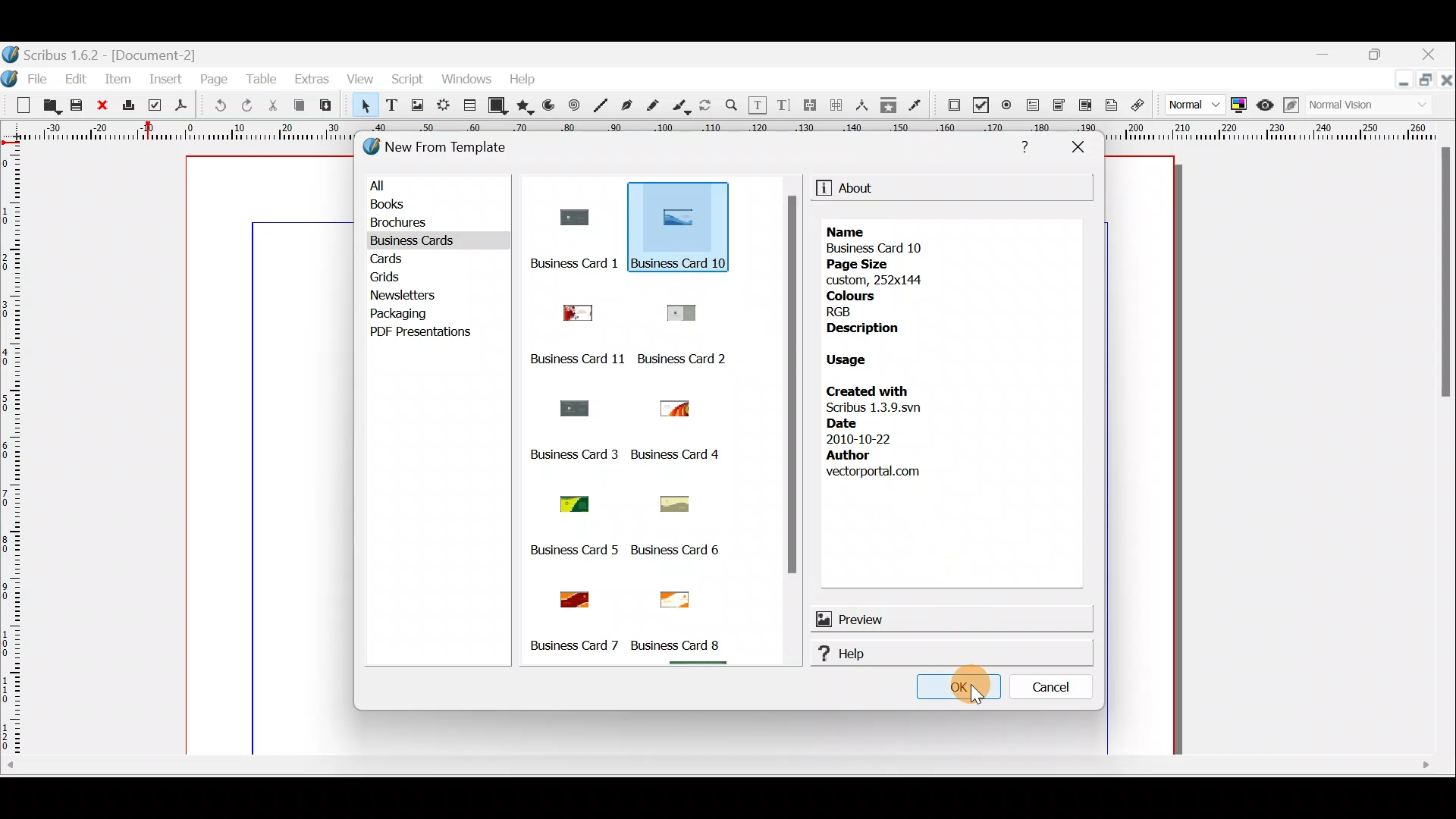 The height and width of the screenshot is (819, 1456). Describe the element at coordinates (855, 296) in the screenshot. I see `Colours` at that location.